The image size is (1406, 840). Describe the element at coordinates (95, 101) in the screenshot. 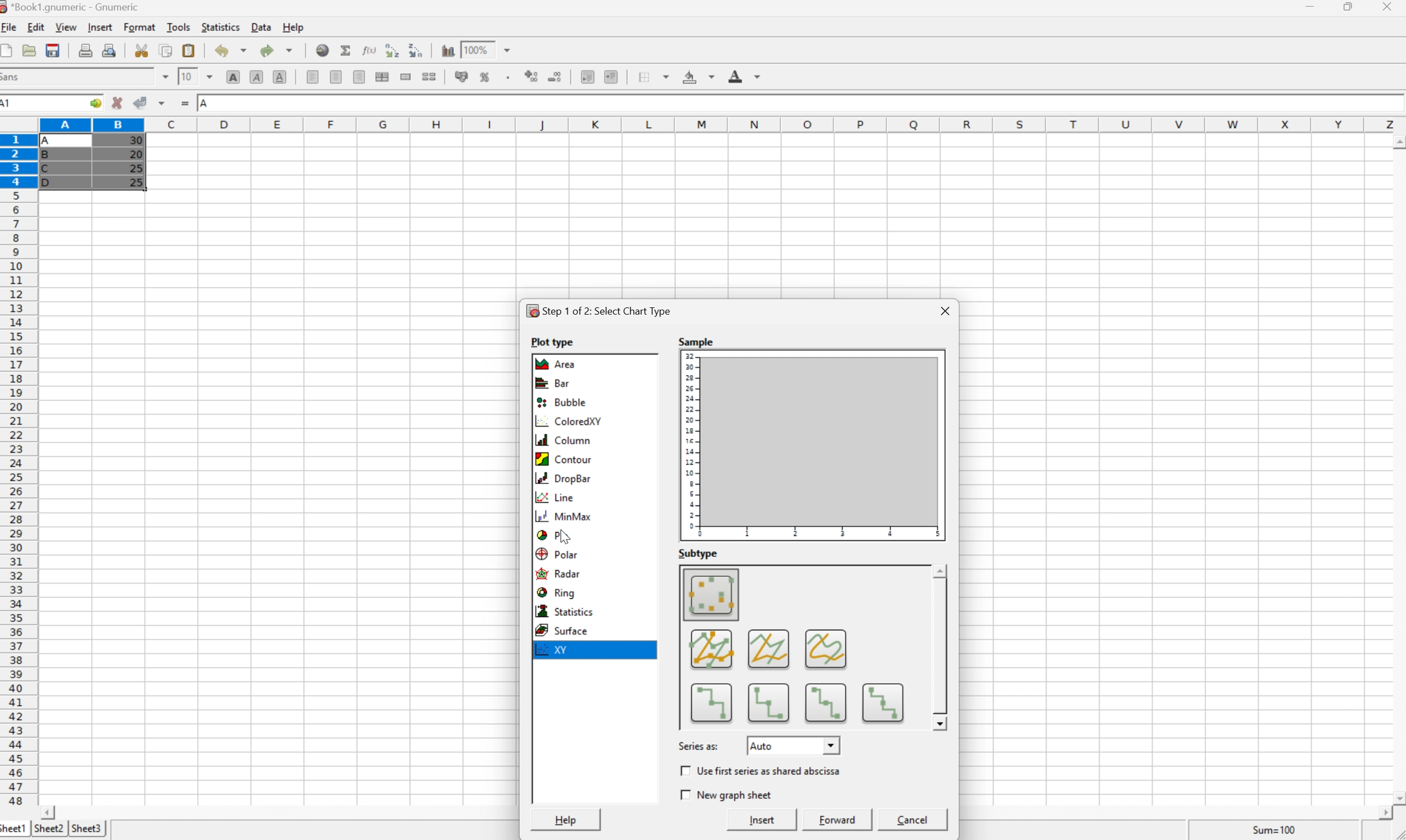

I see `Go to` at that location.